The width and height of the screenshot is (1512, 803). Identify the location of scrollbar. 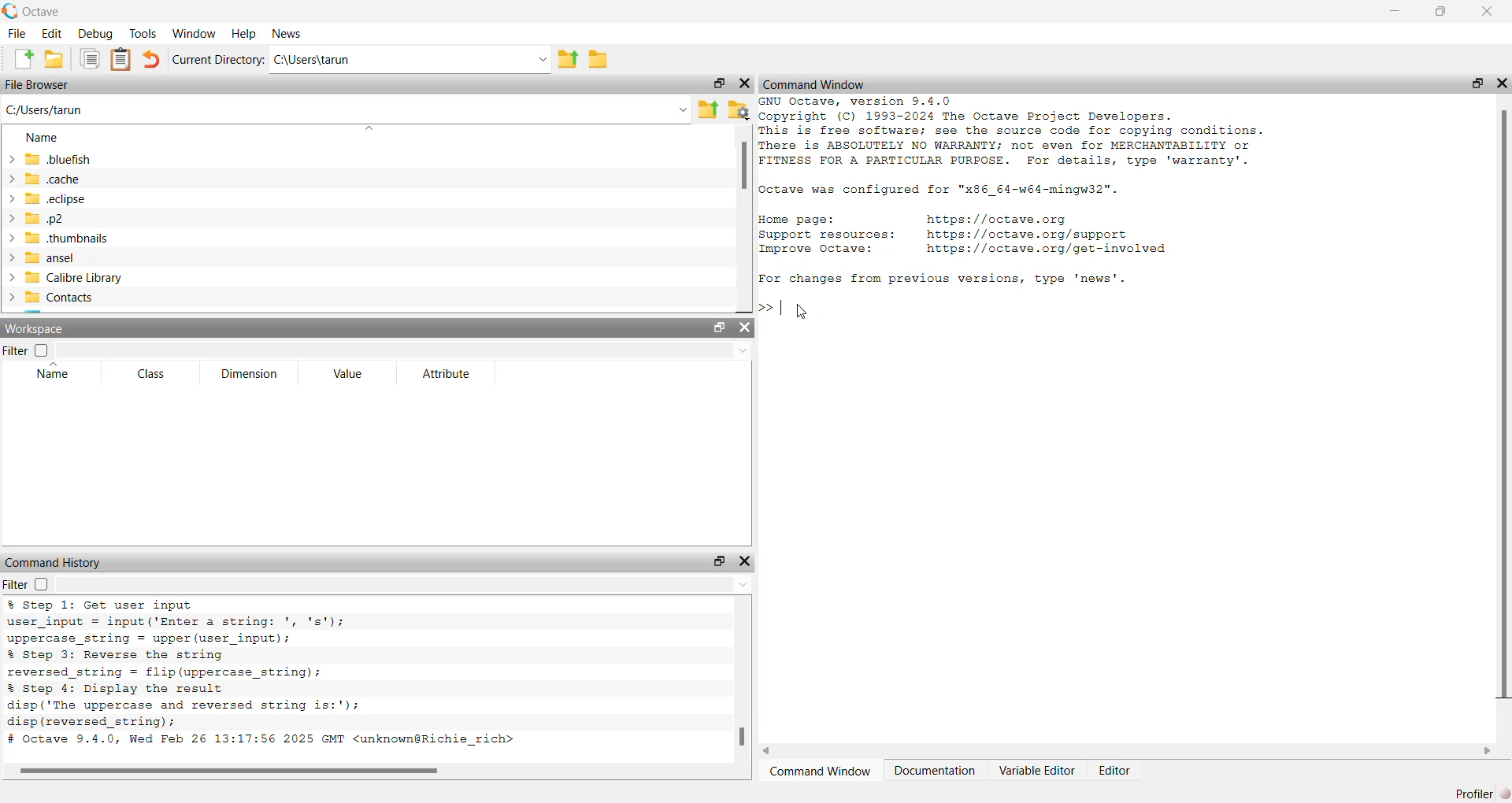
(744, 168).